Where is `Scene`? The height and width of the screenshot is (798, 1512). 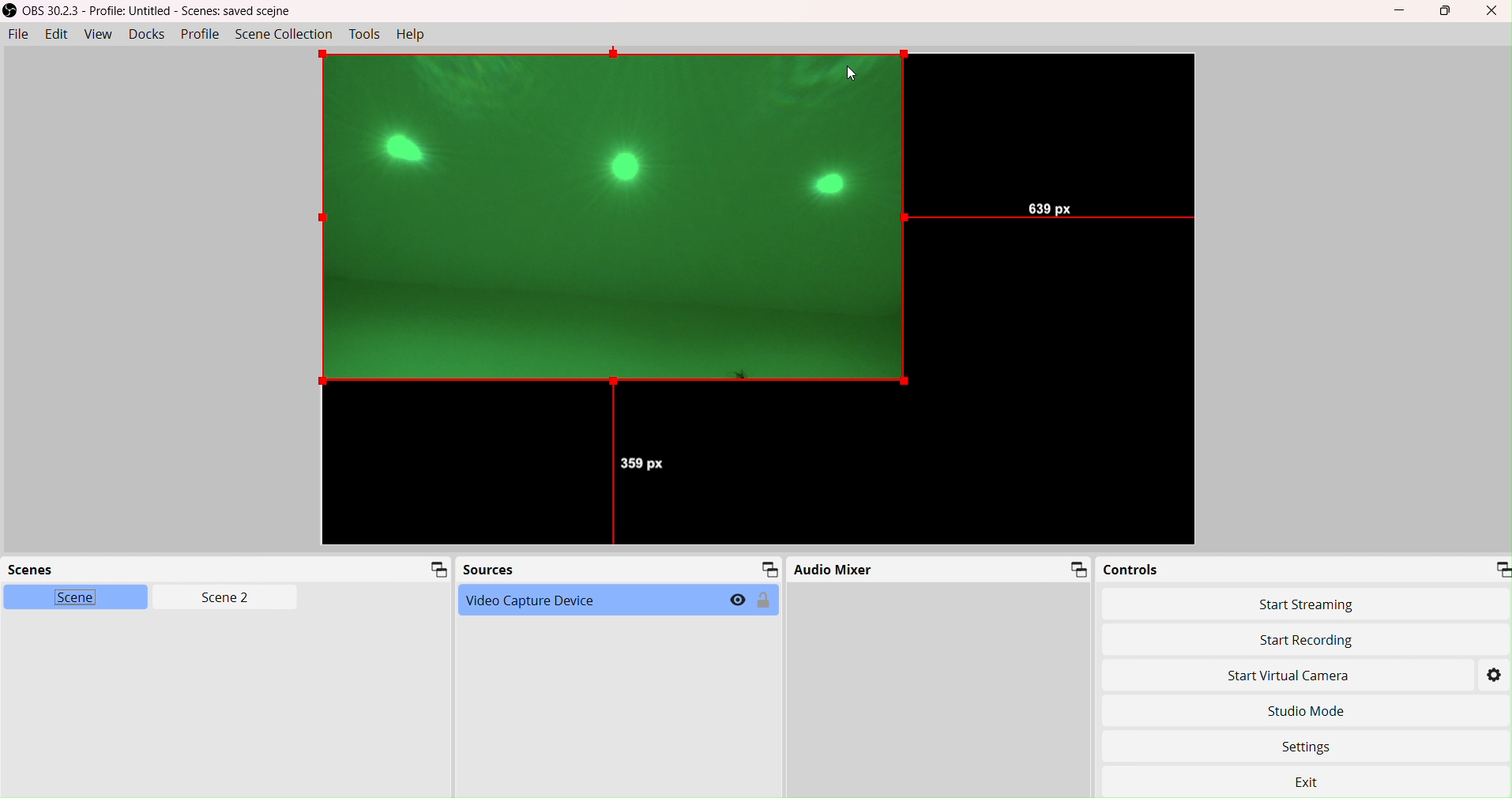
Scene is located at coordinates (85, 598).